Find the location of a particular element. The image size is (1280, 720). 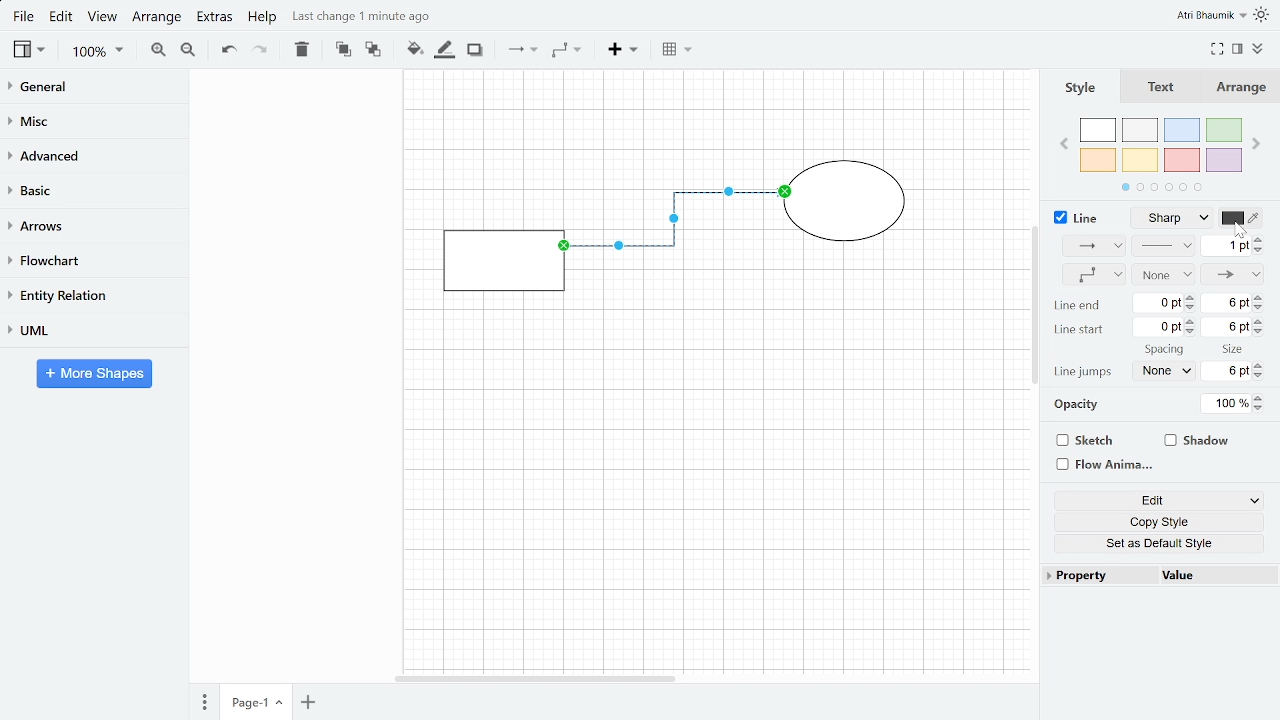

Collapse is located at coordinates (1258, 49).